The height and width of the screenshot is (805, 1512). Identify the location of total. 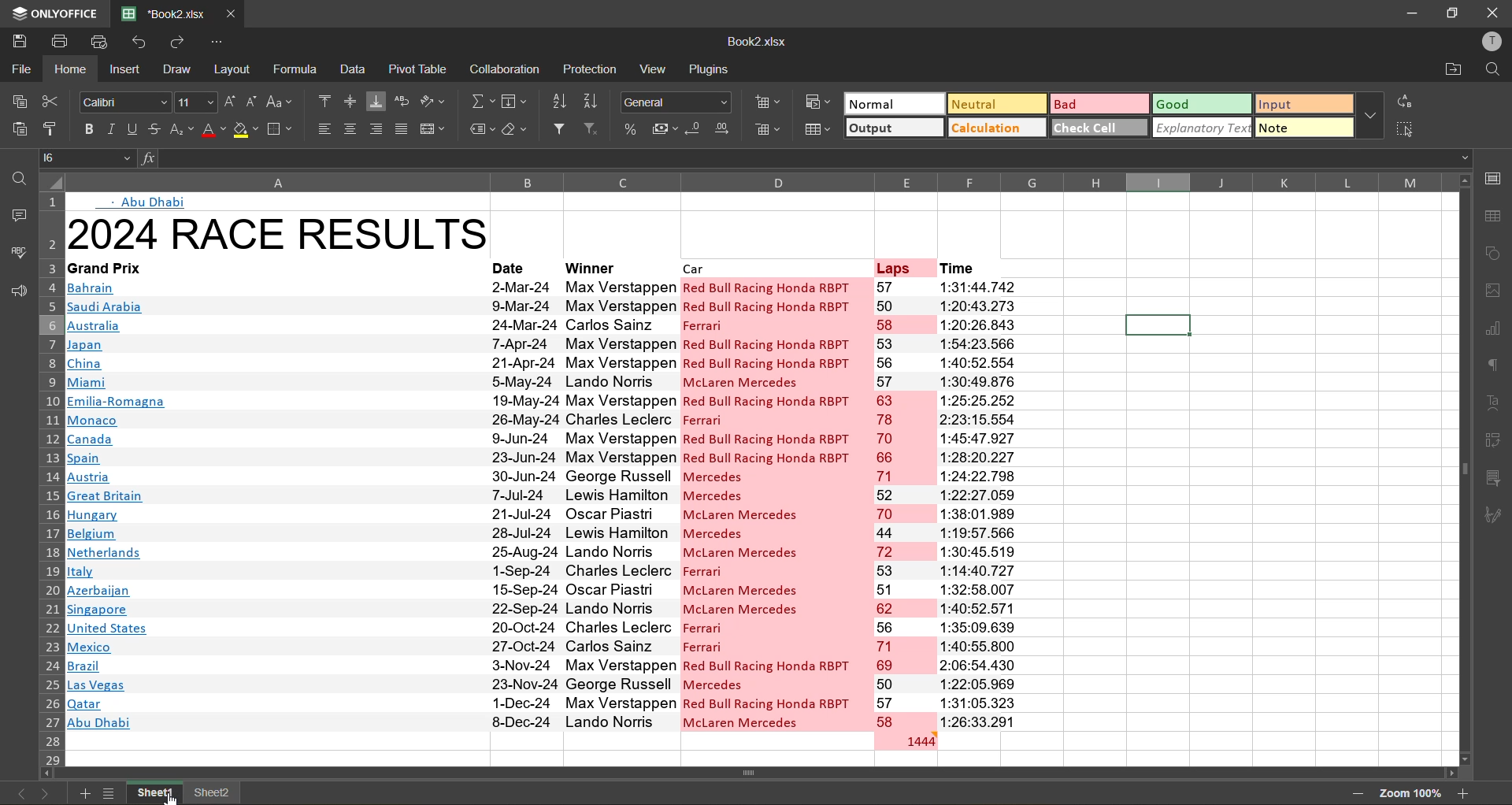
(903, 740).